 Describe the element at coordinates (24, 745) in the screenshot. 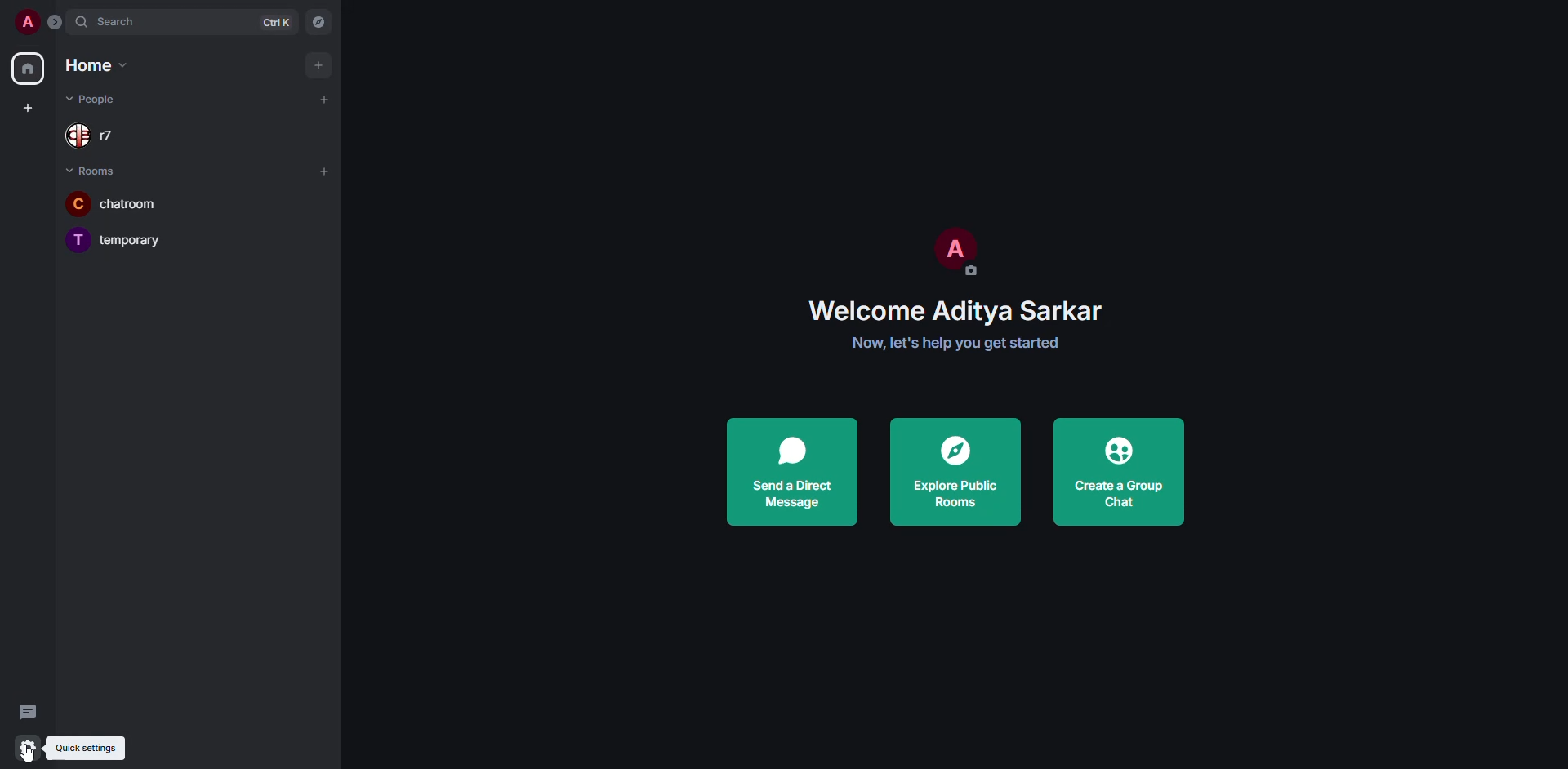

I see `quick settings` at that location.